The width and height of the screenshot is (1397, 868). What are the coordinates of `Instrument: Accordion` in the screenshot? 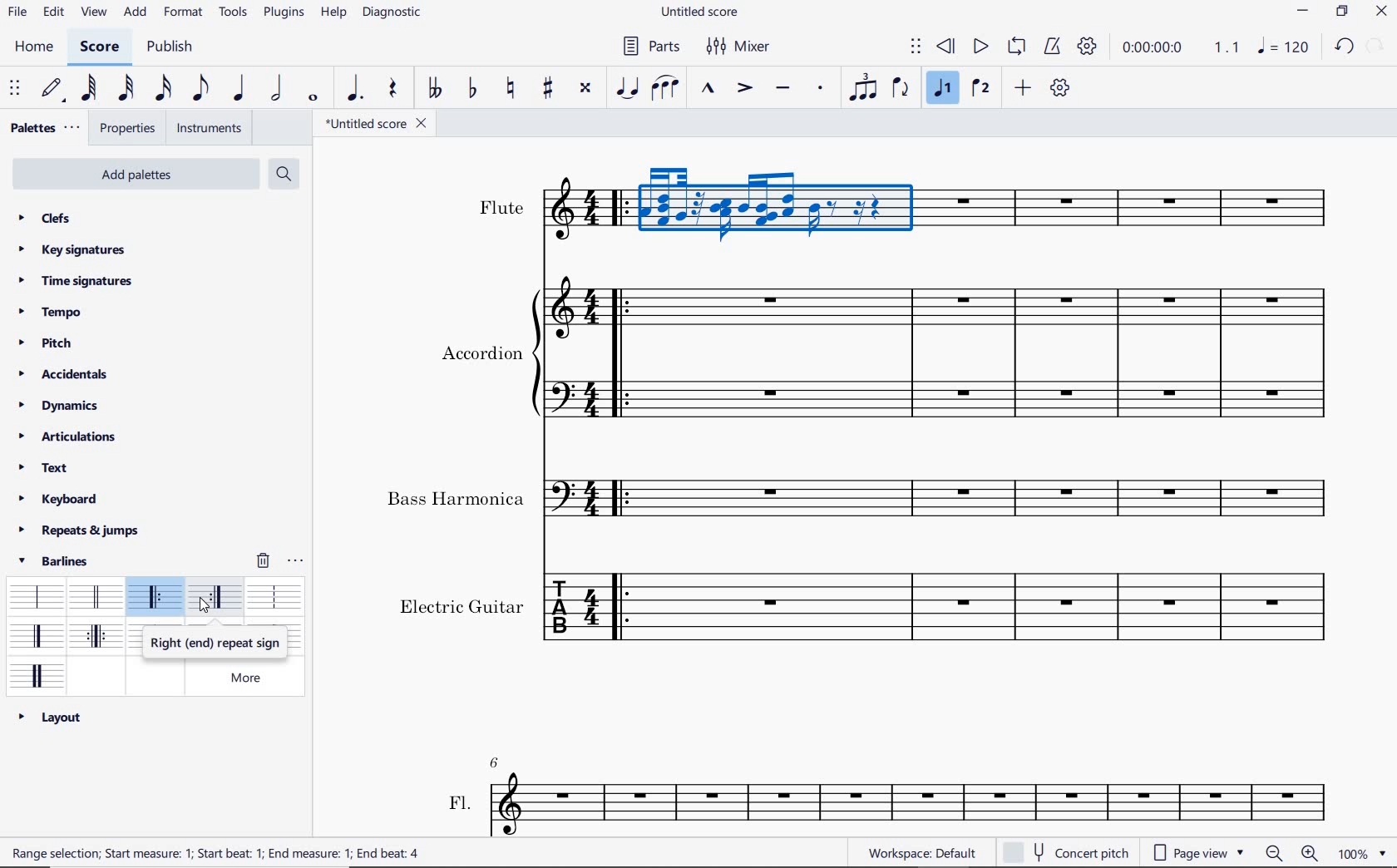 It's located at (566, 348).